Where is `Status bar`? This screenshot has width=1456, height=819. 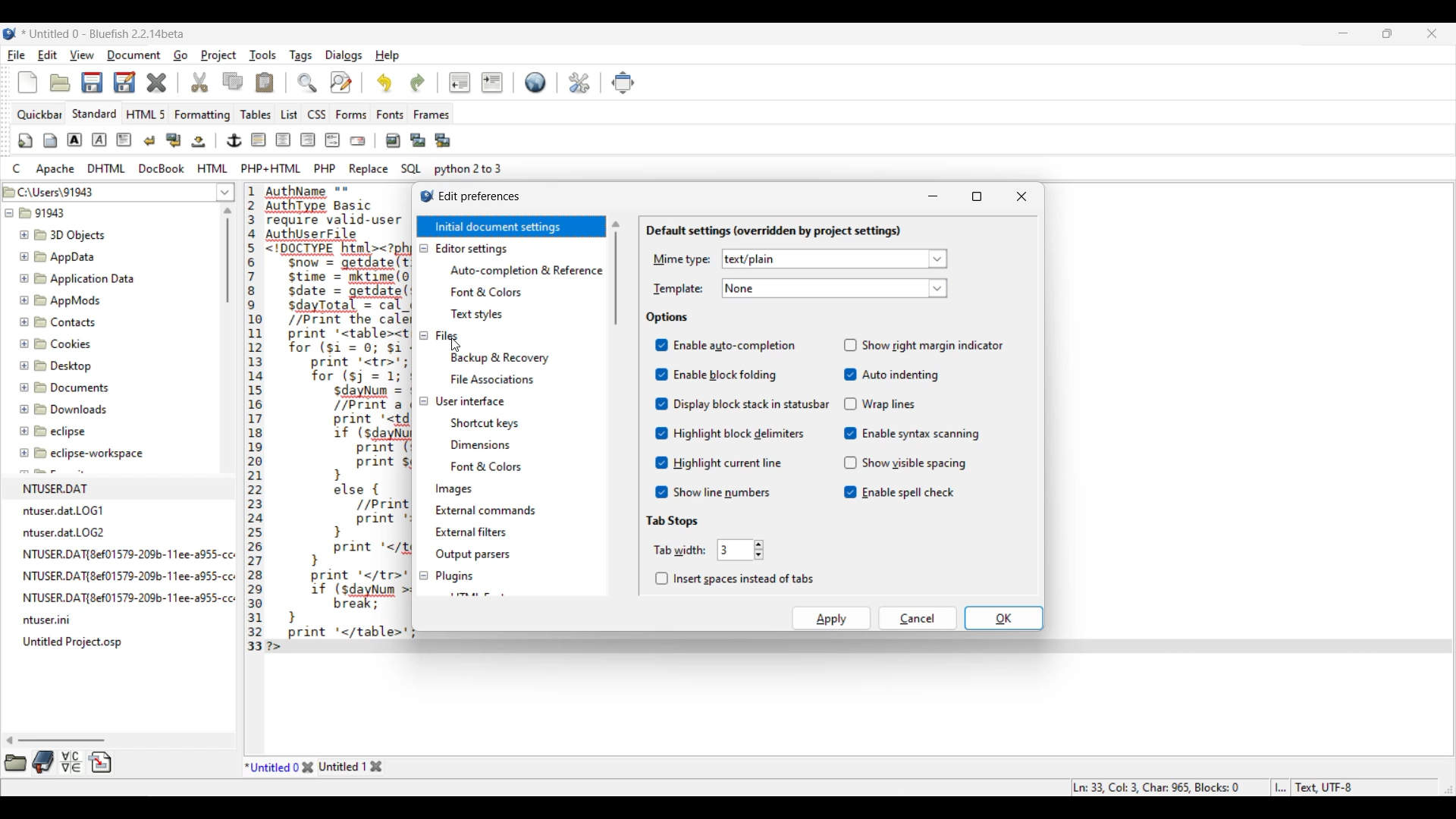
Status bar is located at coordinates (1214, 787).